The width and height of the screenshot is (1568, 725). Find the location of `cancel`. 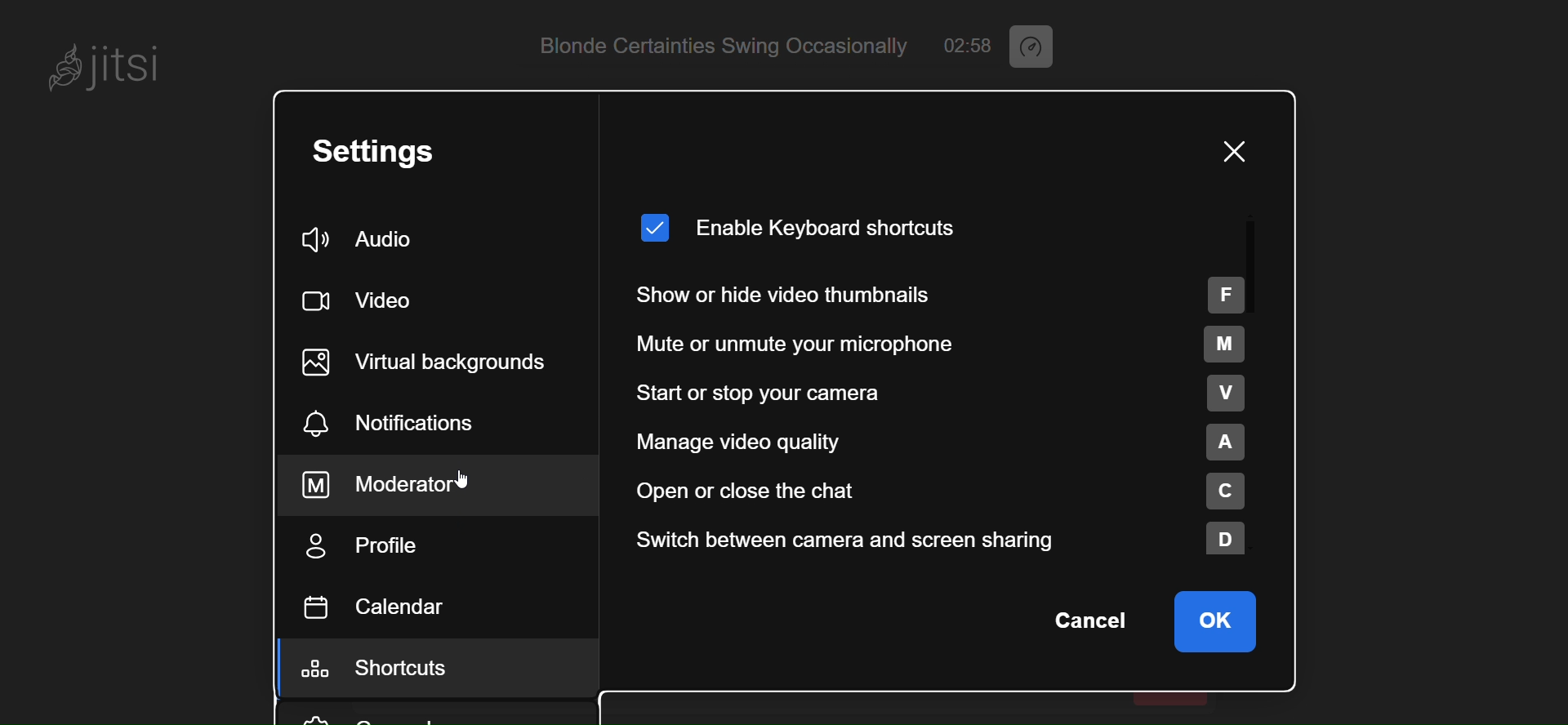

cancel is located at coordinates (1088, 621).